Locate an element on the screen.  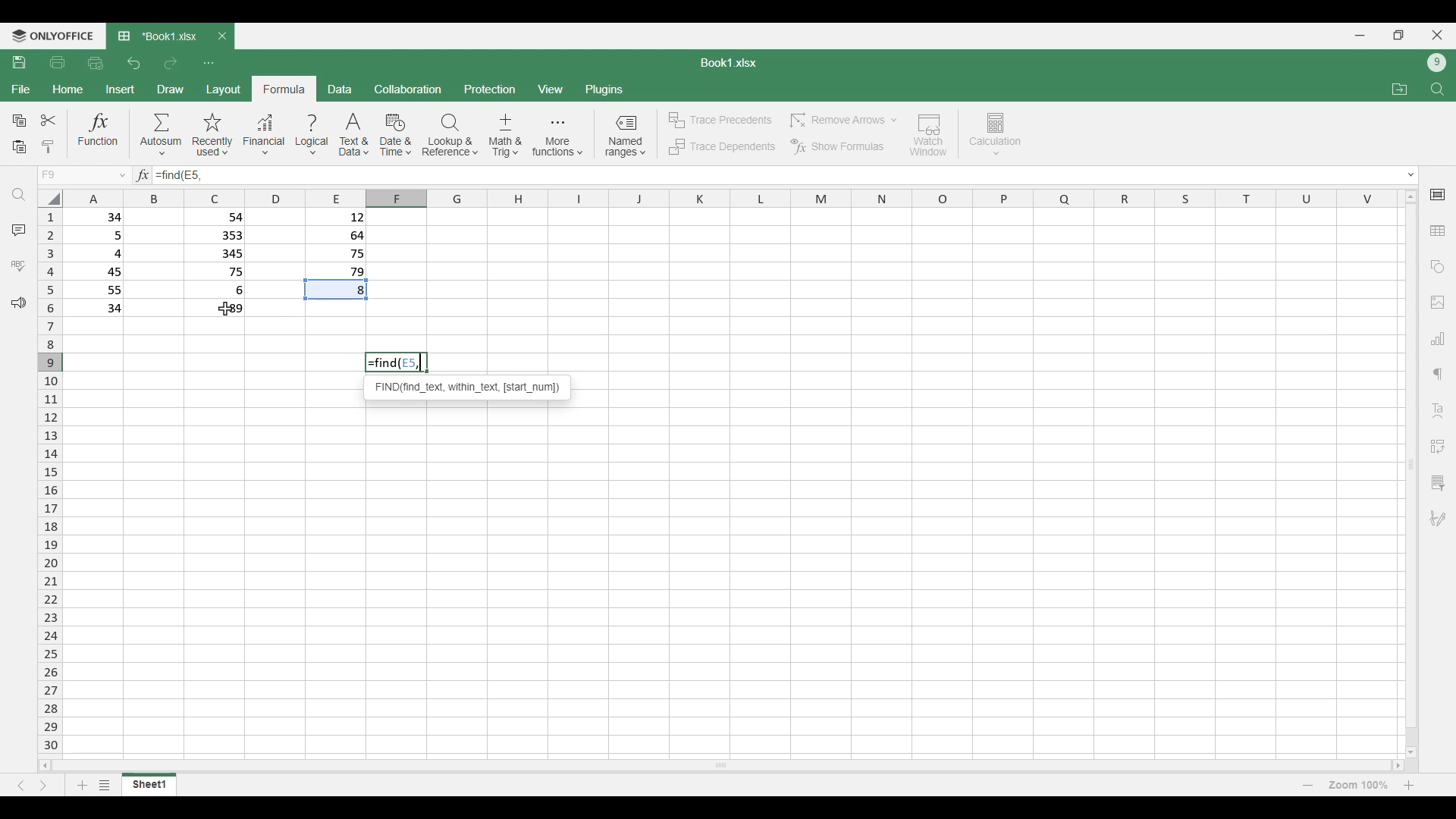
Find is located at coordinates (1437, 89).